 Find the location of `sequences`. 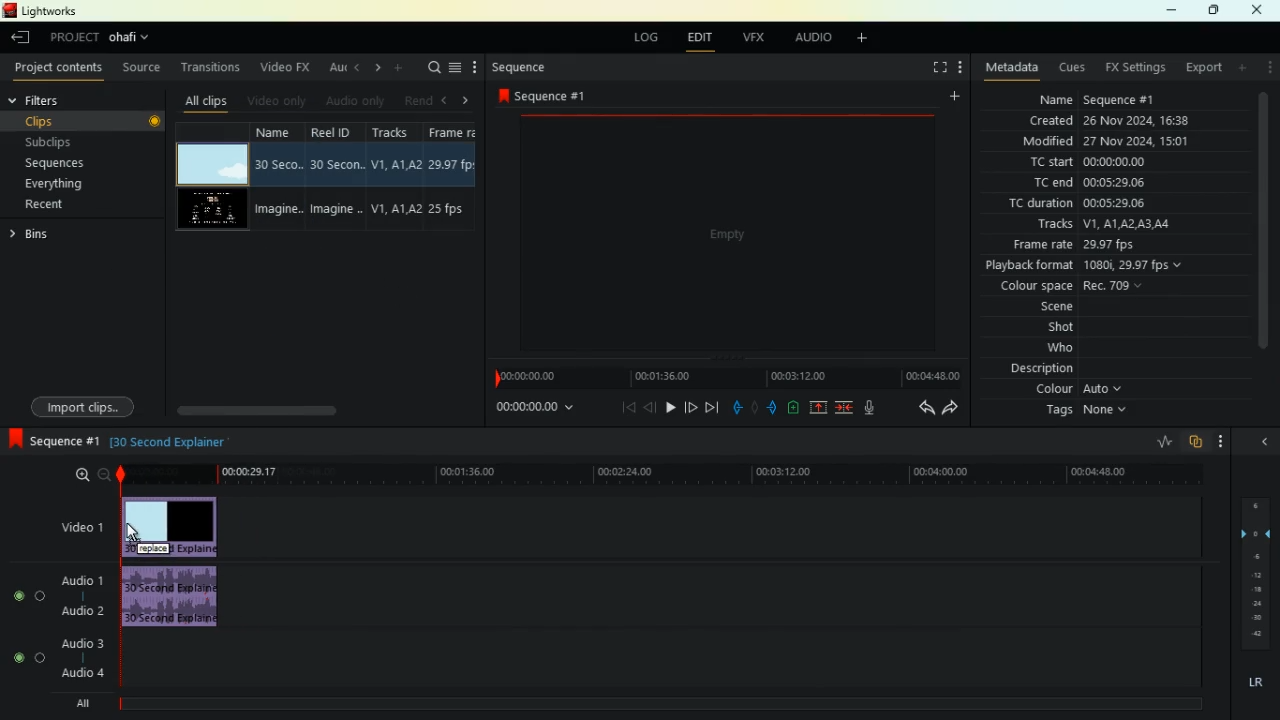

sequences is located at coordinates (63, 165).